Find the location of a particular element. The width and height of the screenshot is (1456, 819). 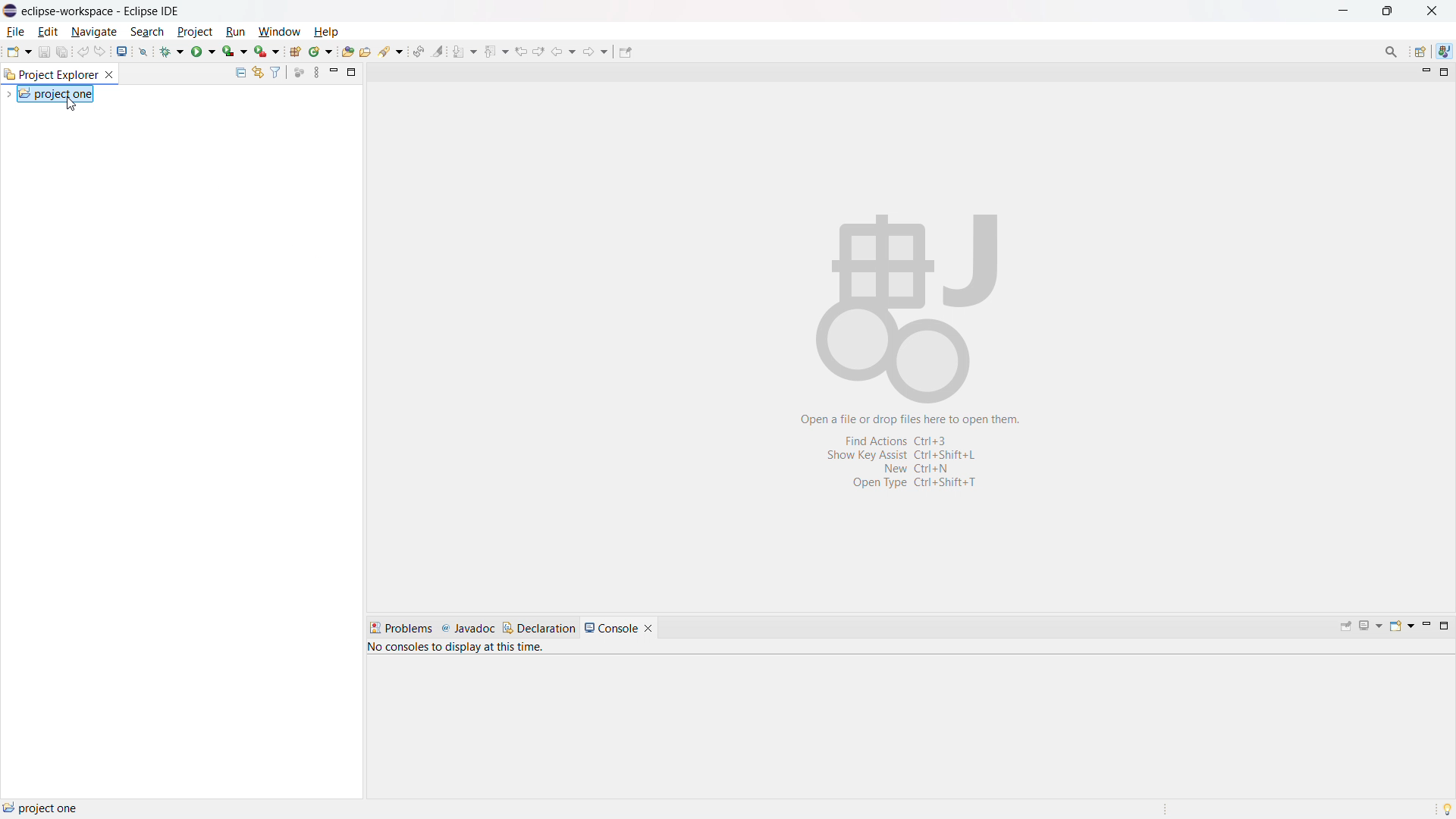

open console is located at coordinates (1401, 626).